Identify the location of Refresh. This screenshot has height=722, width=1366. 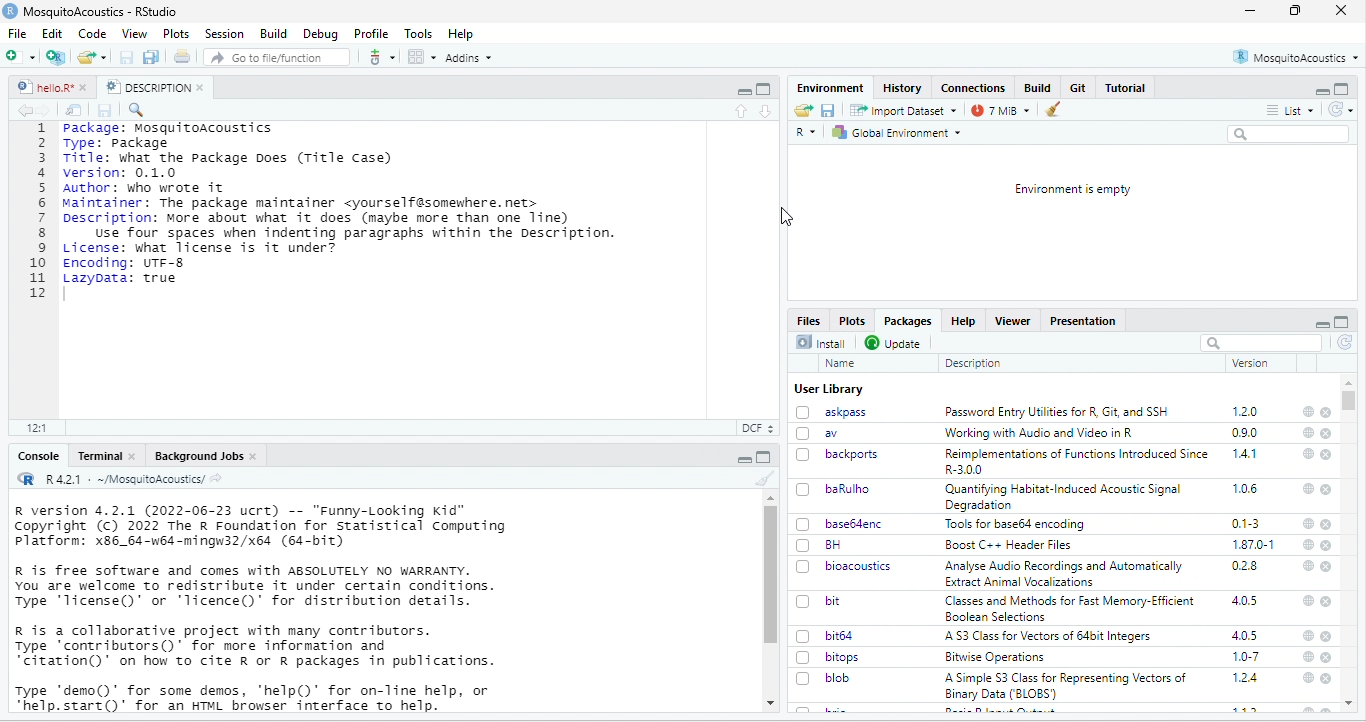
(1340, 109).